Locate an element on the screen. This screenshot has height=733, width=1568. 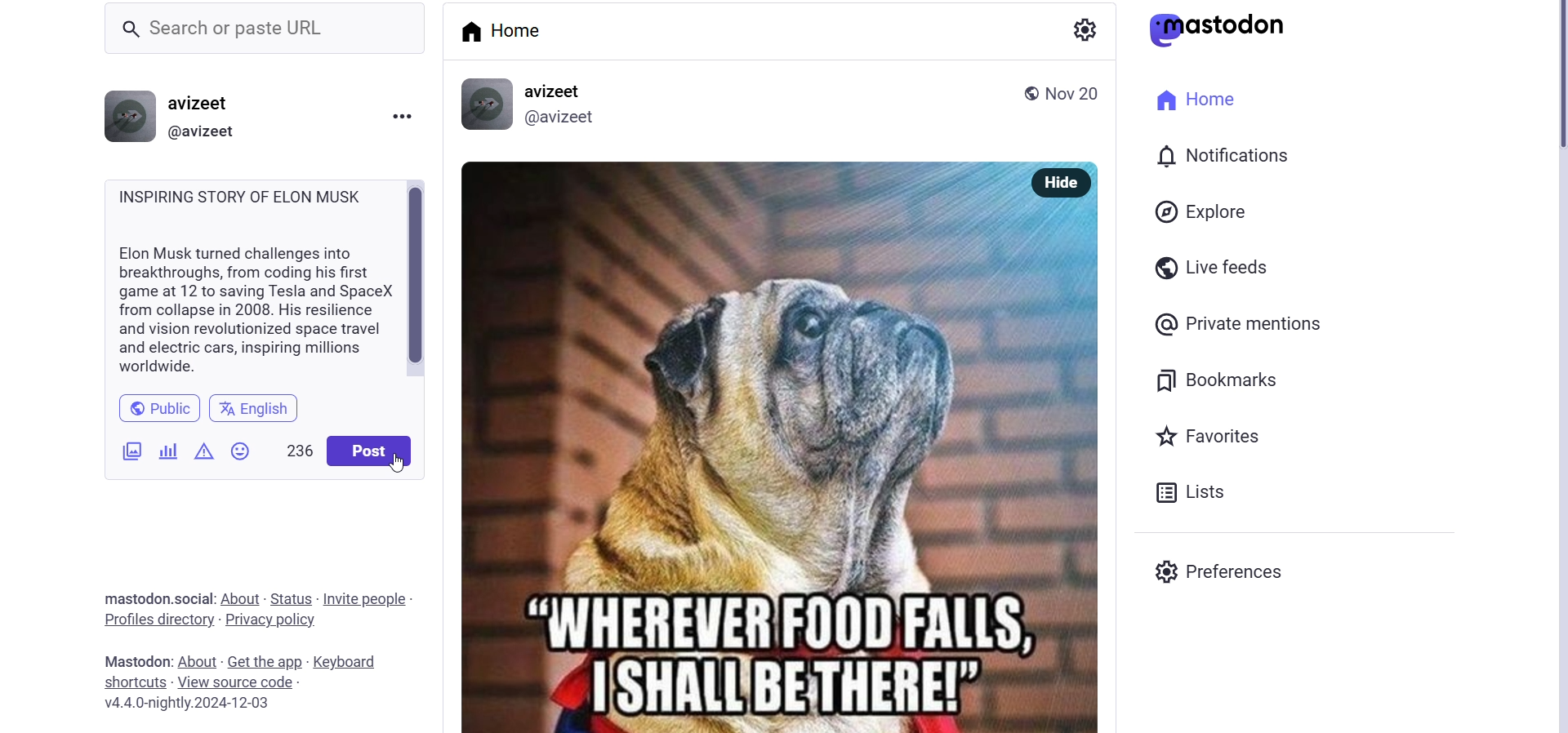
Invite people is located at coordinates (367, 598).